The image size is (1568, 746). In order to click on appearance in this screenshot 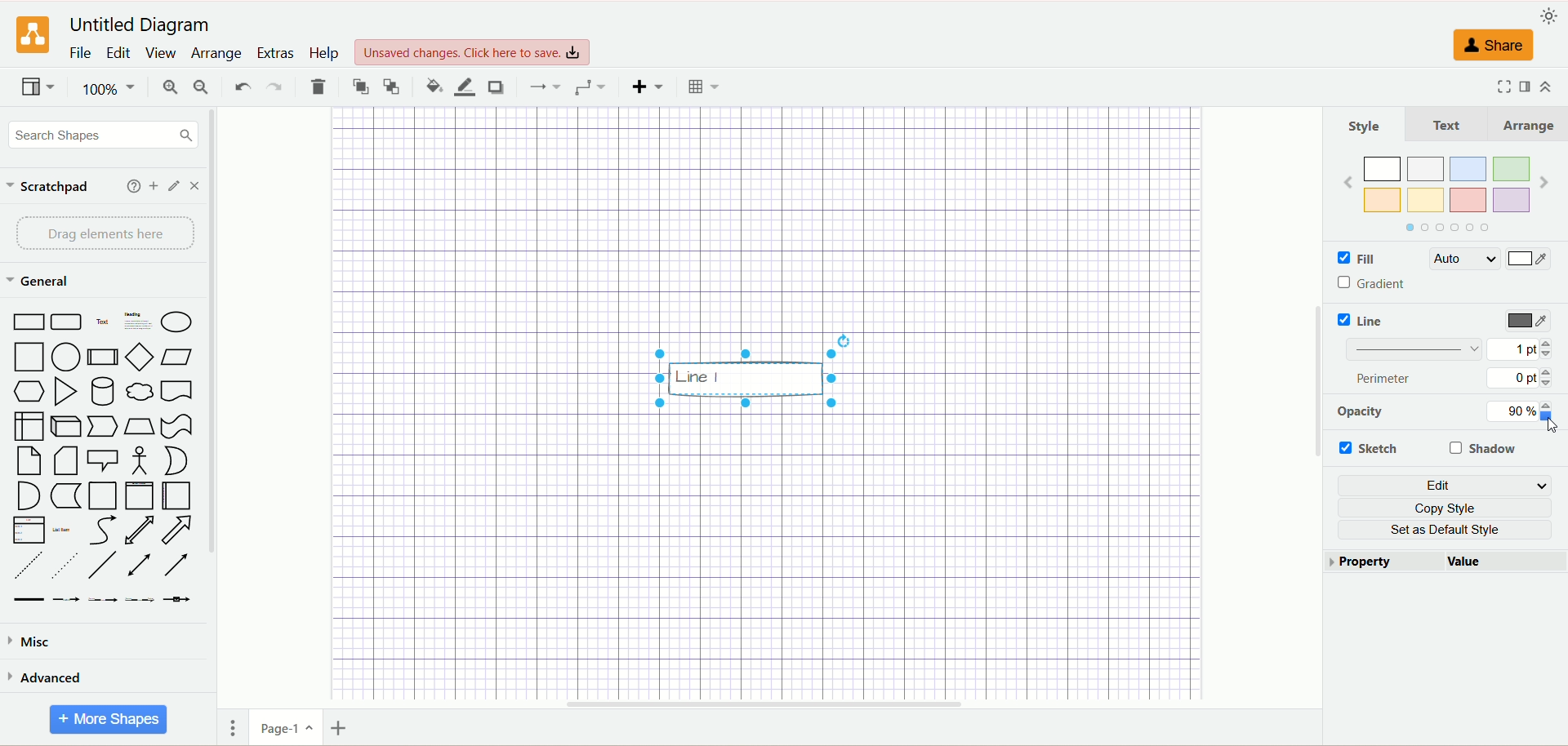, I will do `click(1548, 16)`.